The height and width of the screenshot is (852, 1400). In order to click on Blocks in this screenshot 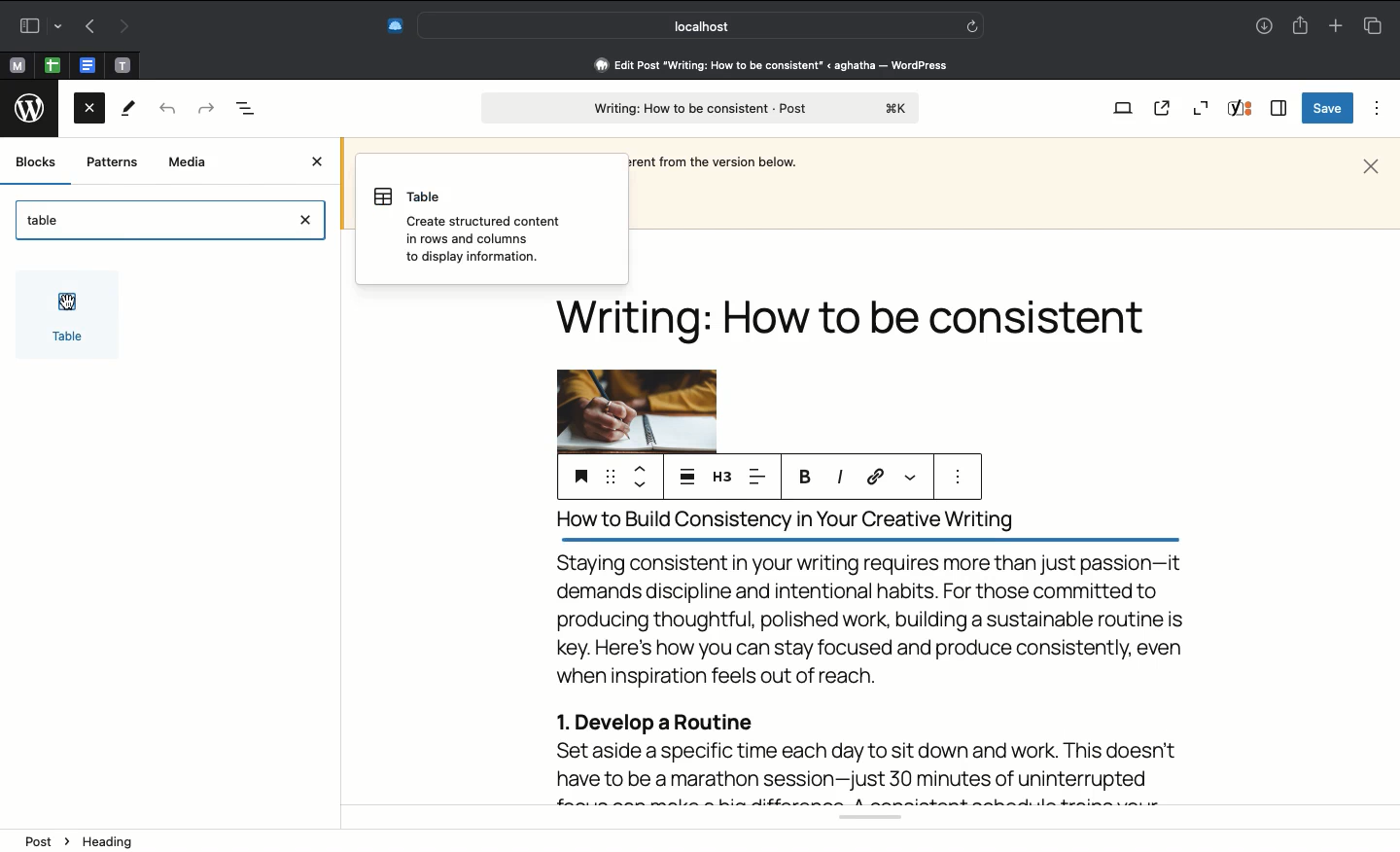, I will do `click(37, 161)`.